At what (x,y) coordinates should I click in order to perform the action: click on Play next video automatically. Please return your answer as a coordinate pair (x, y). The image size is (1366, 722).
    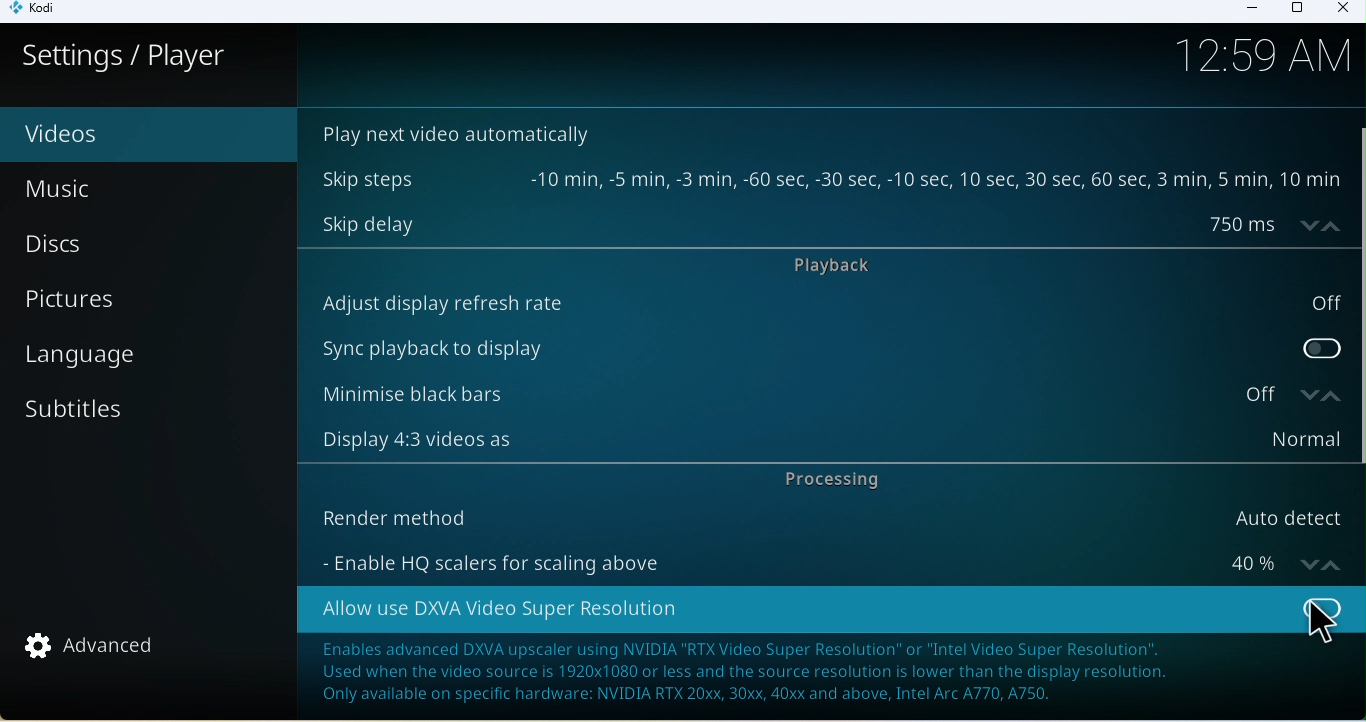
    Looking at the image, I should click on (463, 132).